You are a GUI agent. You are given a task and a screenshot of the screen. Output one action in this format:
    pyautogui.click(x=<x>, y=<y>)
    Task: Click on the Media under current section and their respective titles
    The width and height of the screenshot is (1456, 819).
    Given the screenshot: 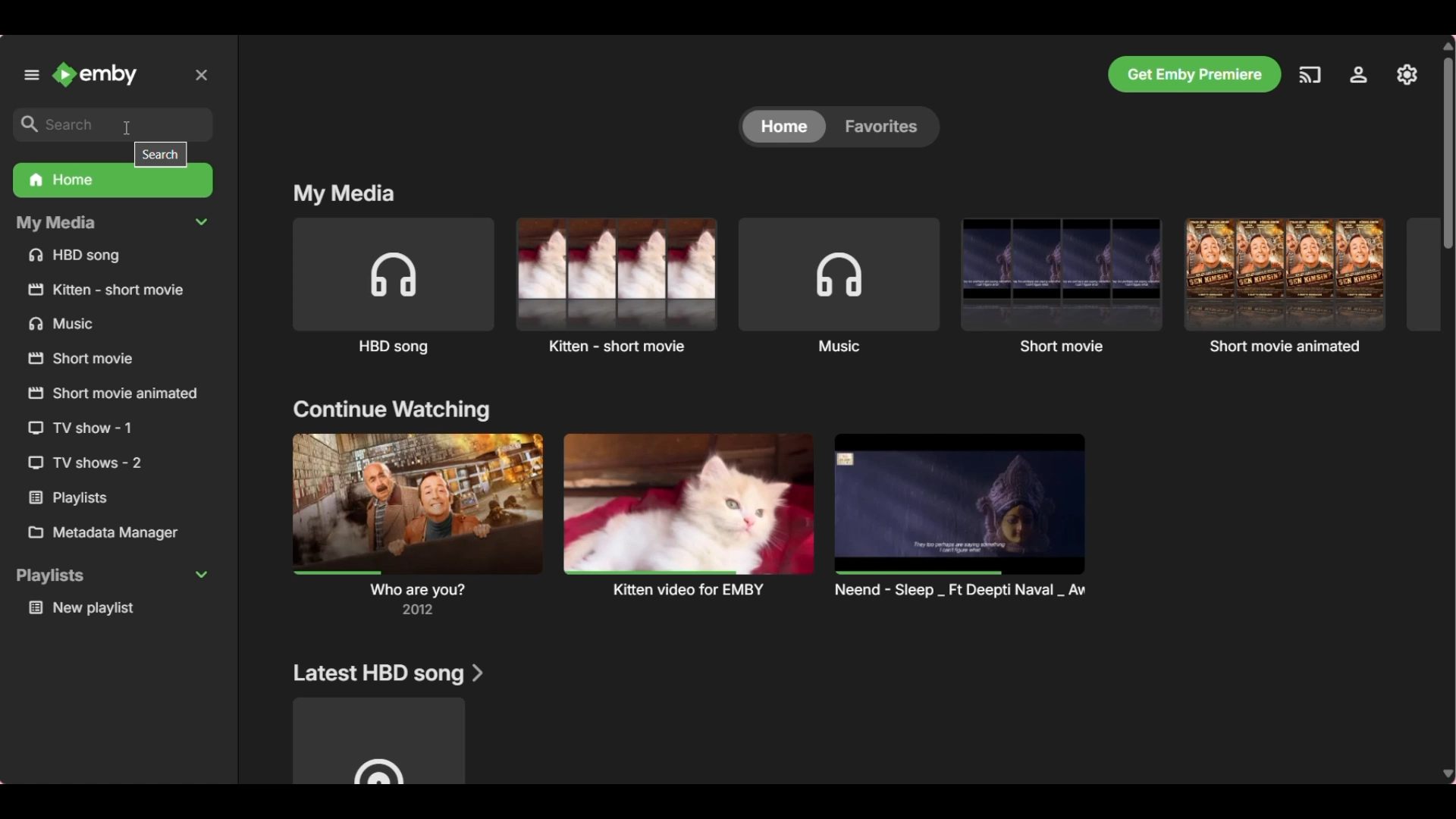 What is the action you would take?
    pyautogui.click(x=692, y=523)
    